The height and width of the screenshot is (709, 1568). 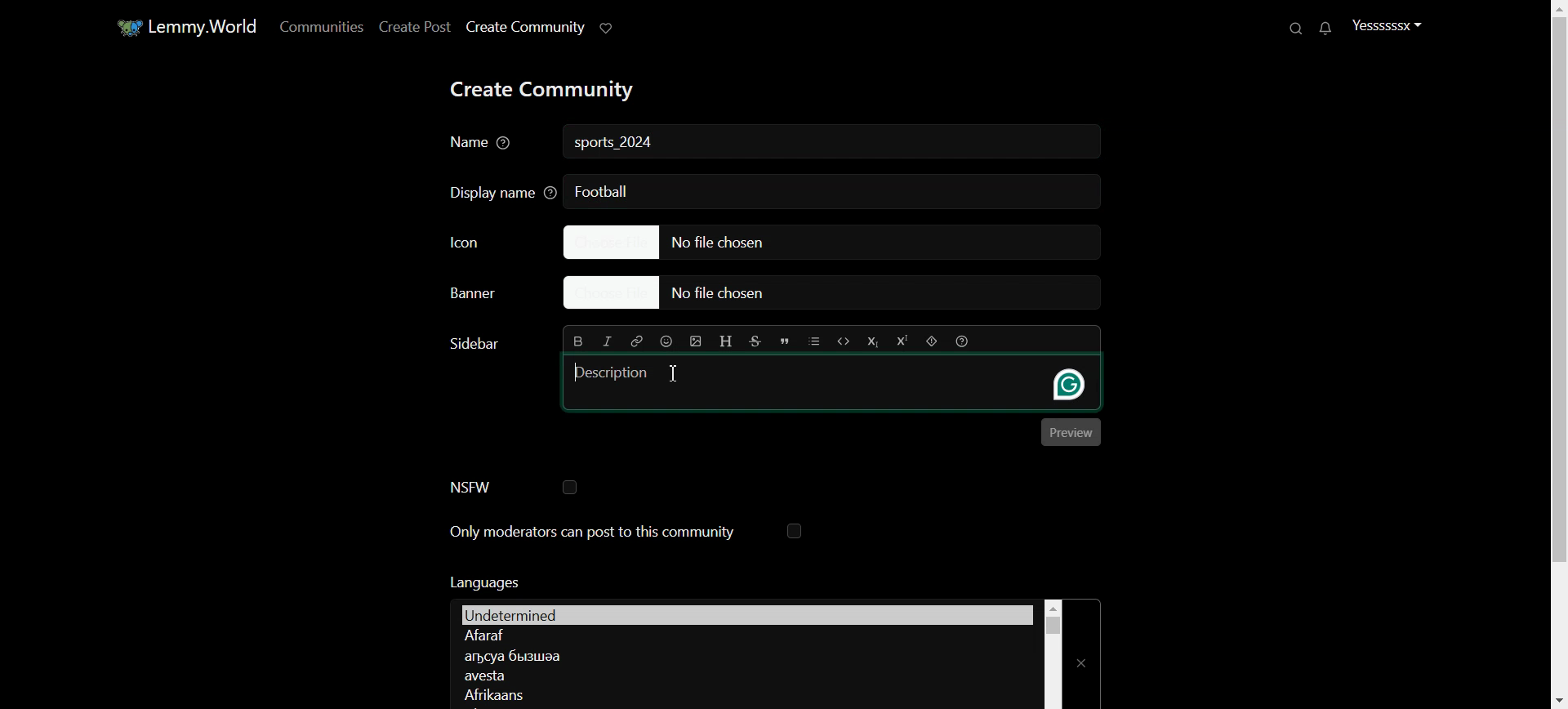 What do you see at coordinates (932, 341) in the screenshot?
I see `Spoiler` at bounding box center [932, 341].